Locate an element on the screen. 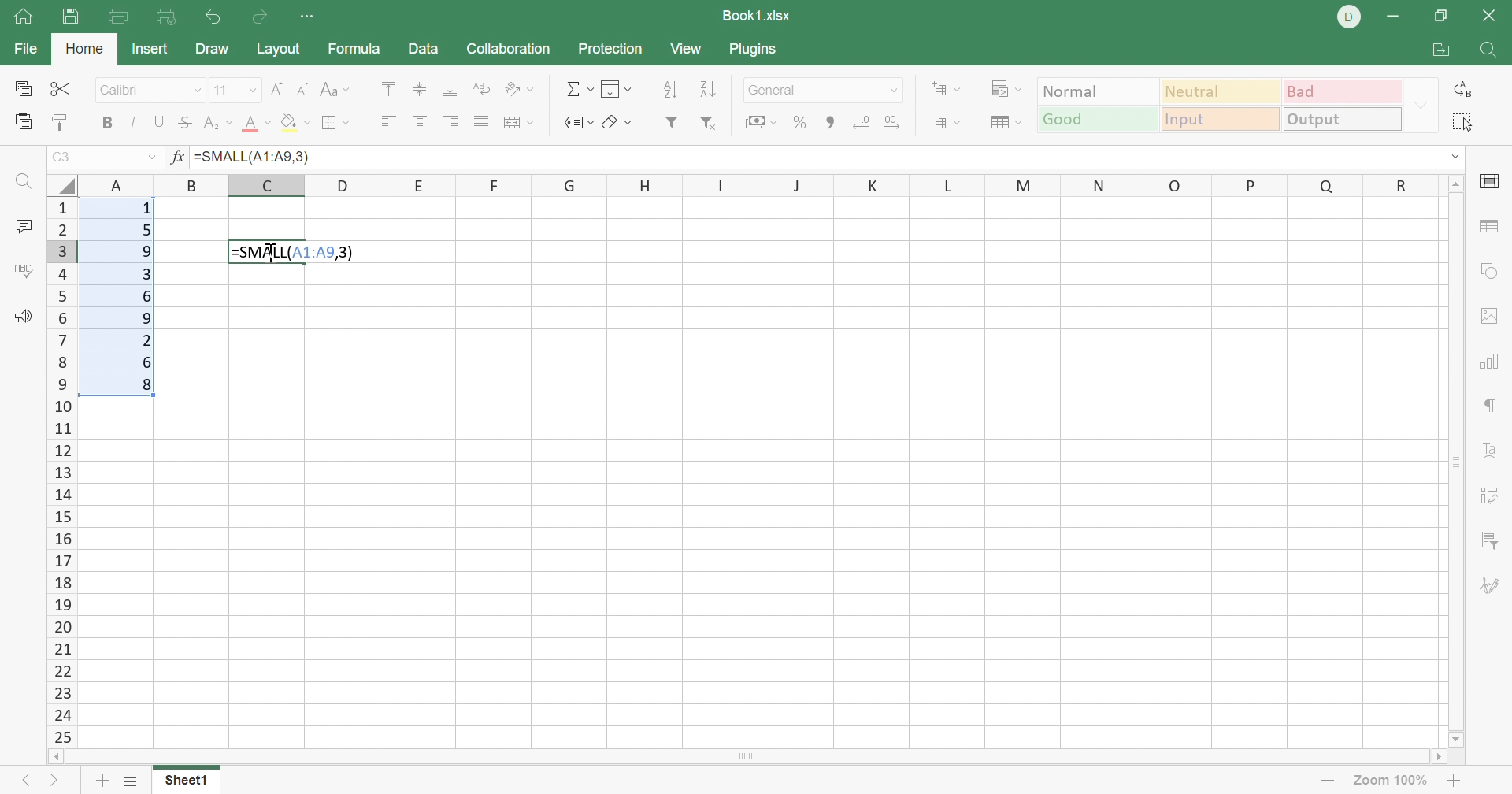 The height and width of the screenshot is (794, 1512). Decrease decimal is located at coordinates (861, 120).